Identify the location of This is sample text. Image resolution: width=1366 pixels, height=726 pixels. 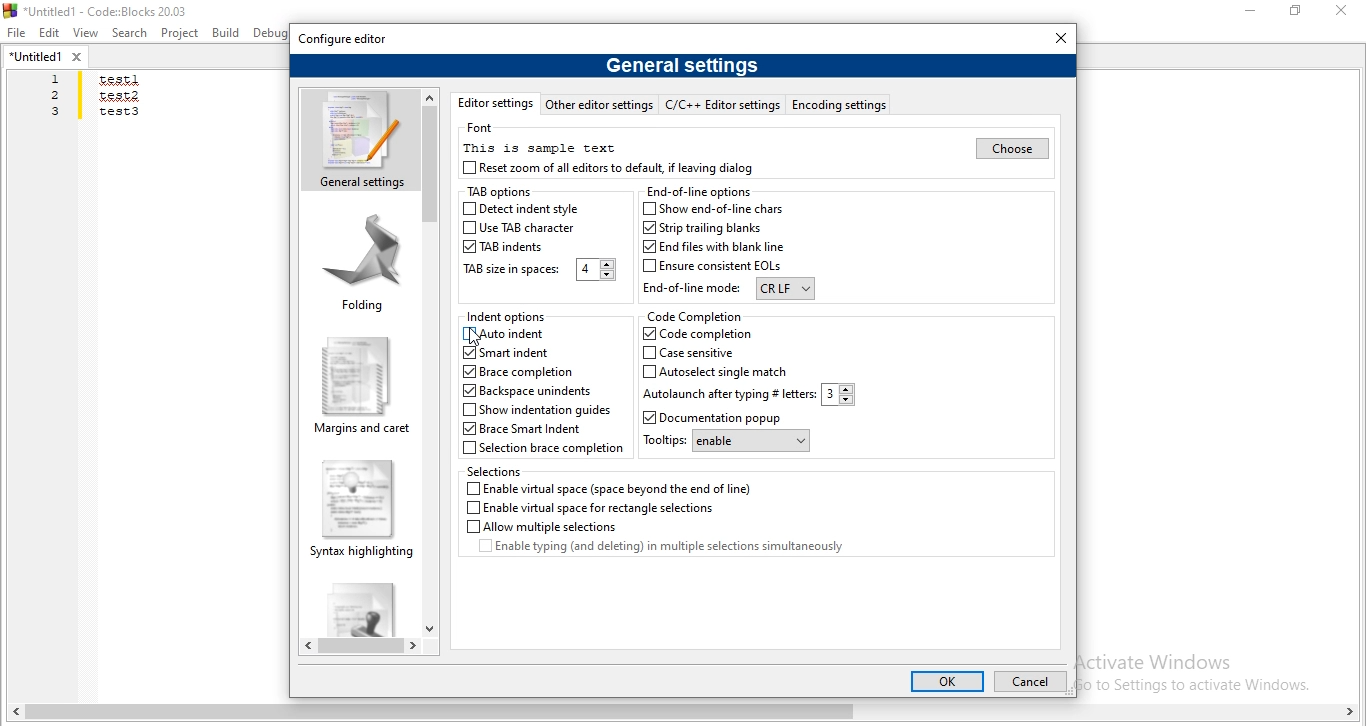
(539, 147).